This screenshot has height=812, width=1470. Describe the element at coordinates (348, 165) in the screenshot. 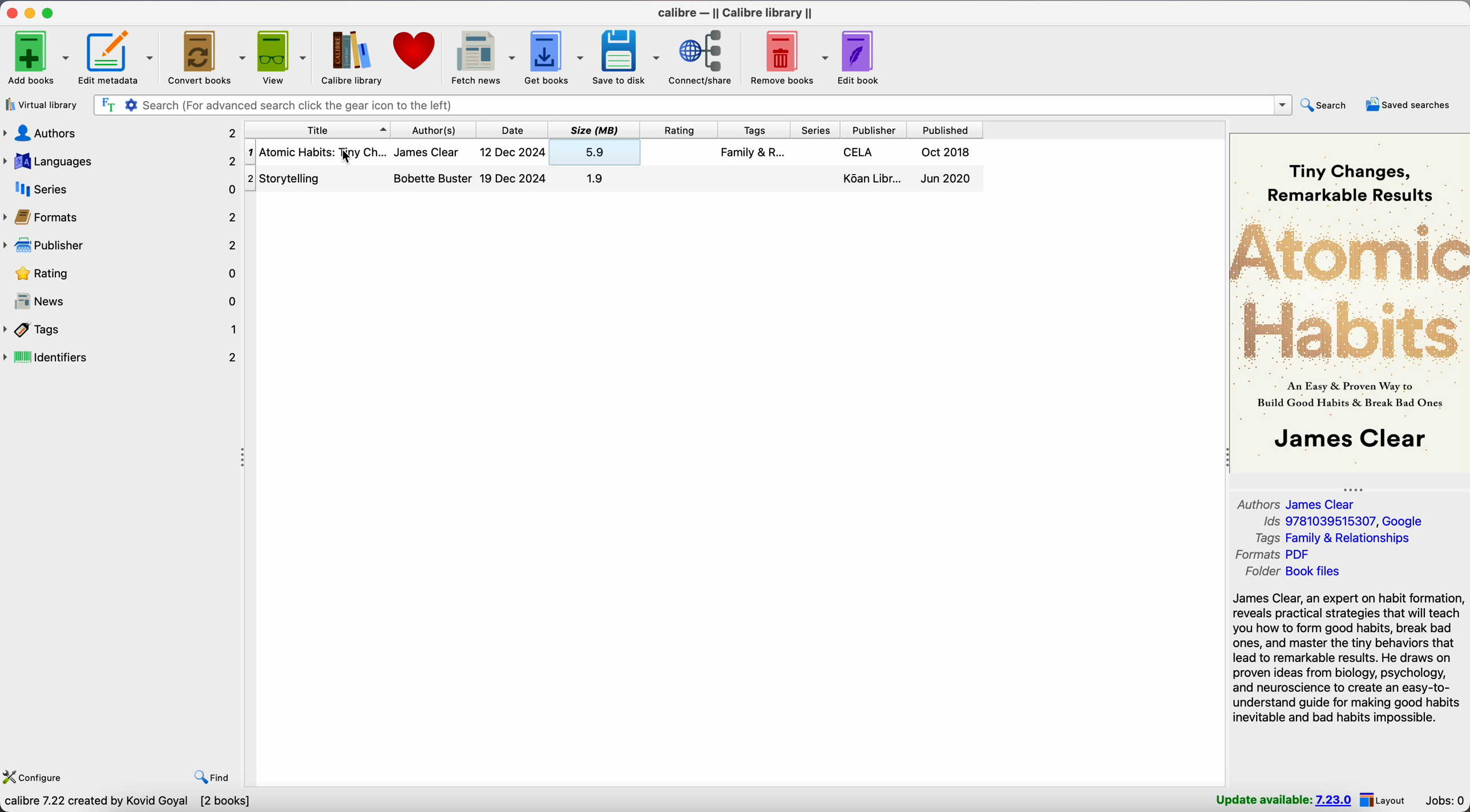

I see `cursor` at that location.